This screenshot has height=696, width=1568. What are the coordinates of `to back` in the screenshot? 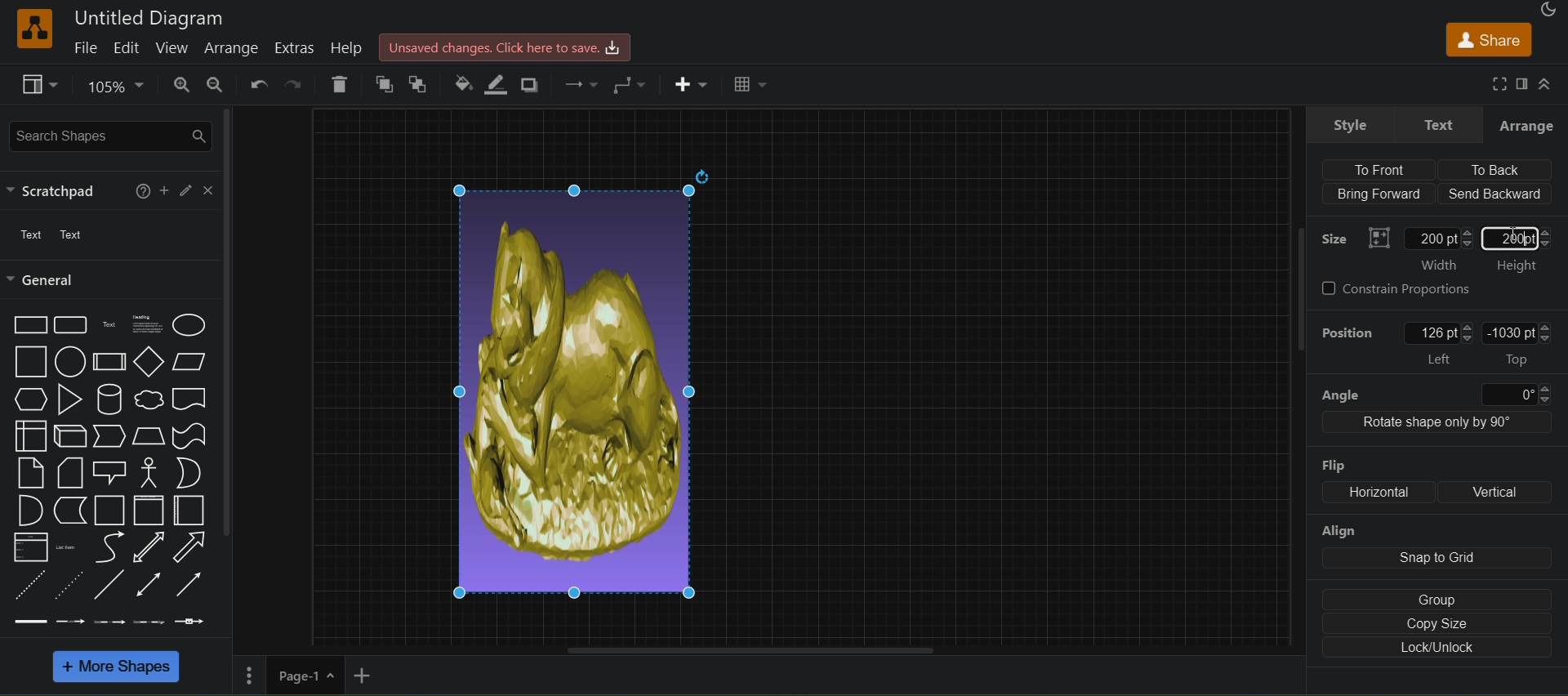 It's located at (417, 86).